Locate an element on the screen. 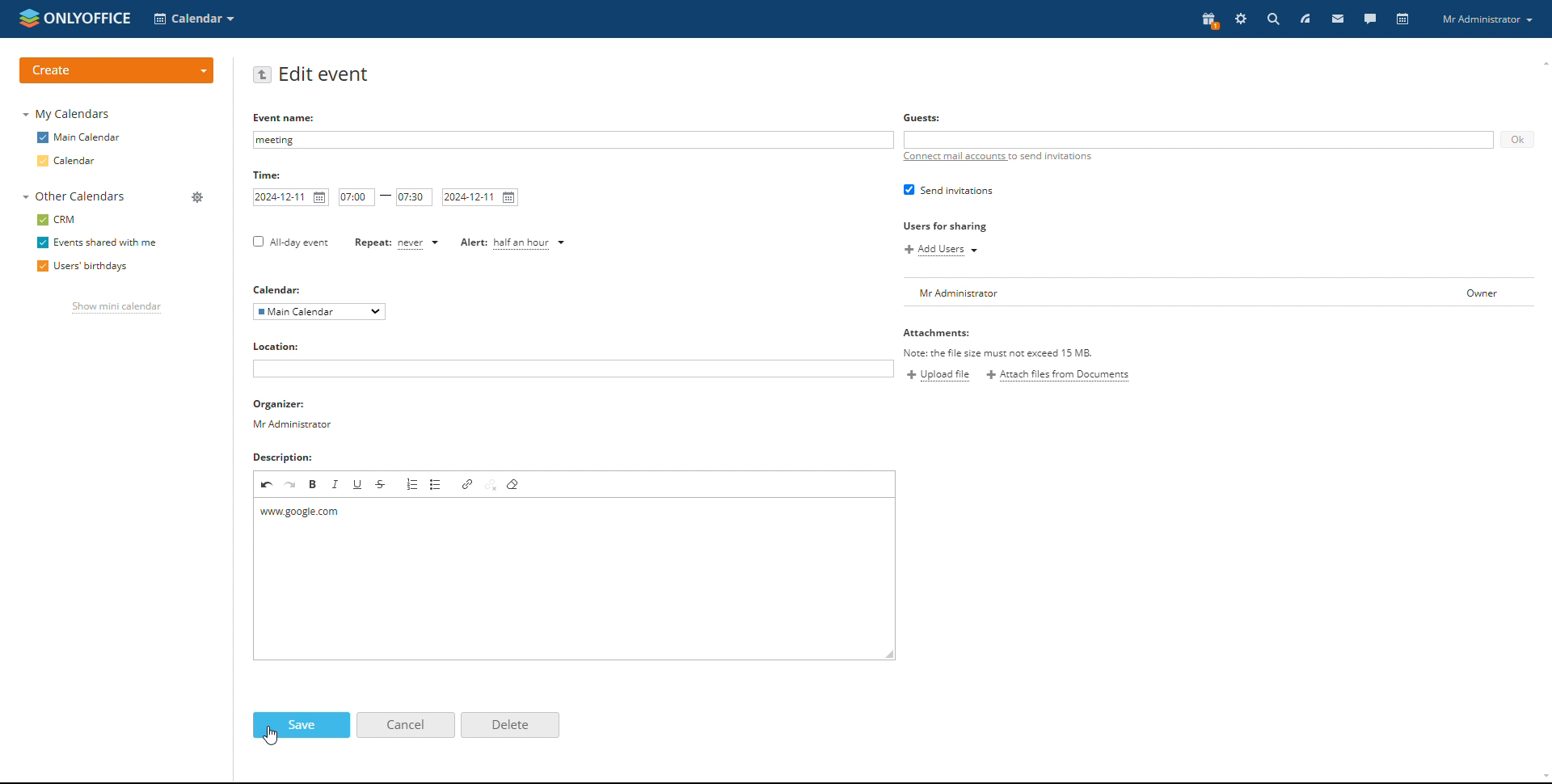 This screenshot has height=784, width=1552. connect mail accounts is located at coordinates (953, 157).